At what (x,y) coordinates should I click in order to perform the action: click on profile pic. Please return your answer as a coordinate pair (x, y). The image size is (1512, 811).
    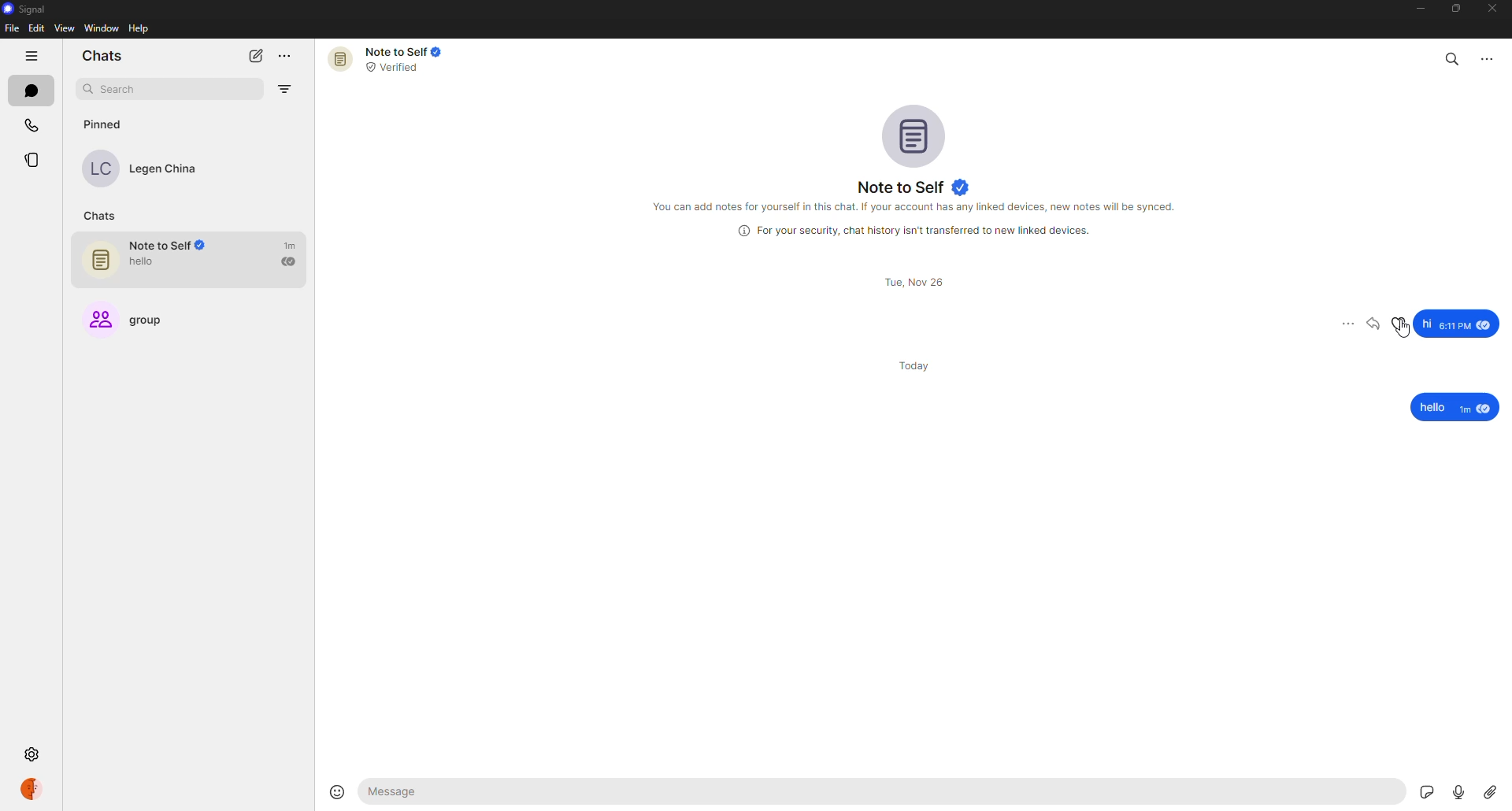
    Looking at the image, I should click on (918, 135).